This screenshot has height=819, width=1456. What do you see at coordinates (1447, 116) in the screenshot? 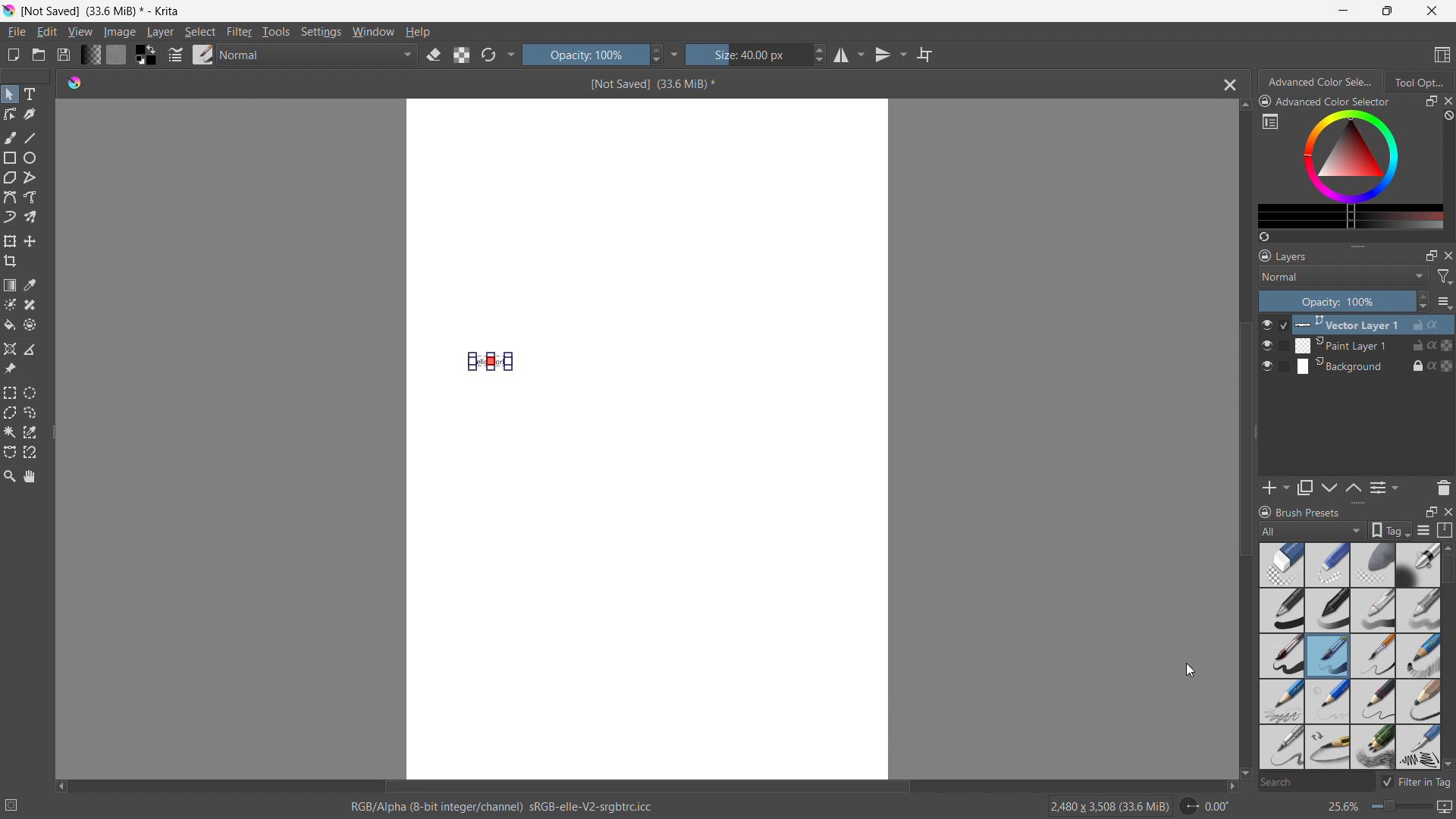
I see `clear all color history` at bounding box center [1447, 116].